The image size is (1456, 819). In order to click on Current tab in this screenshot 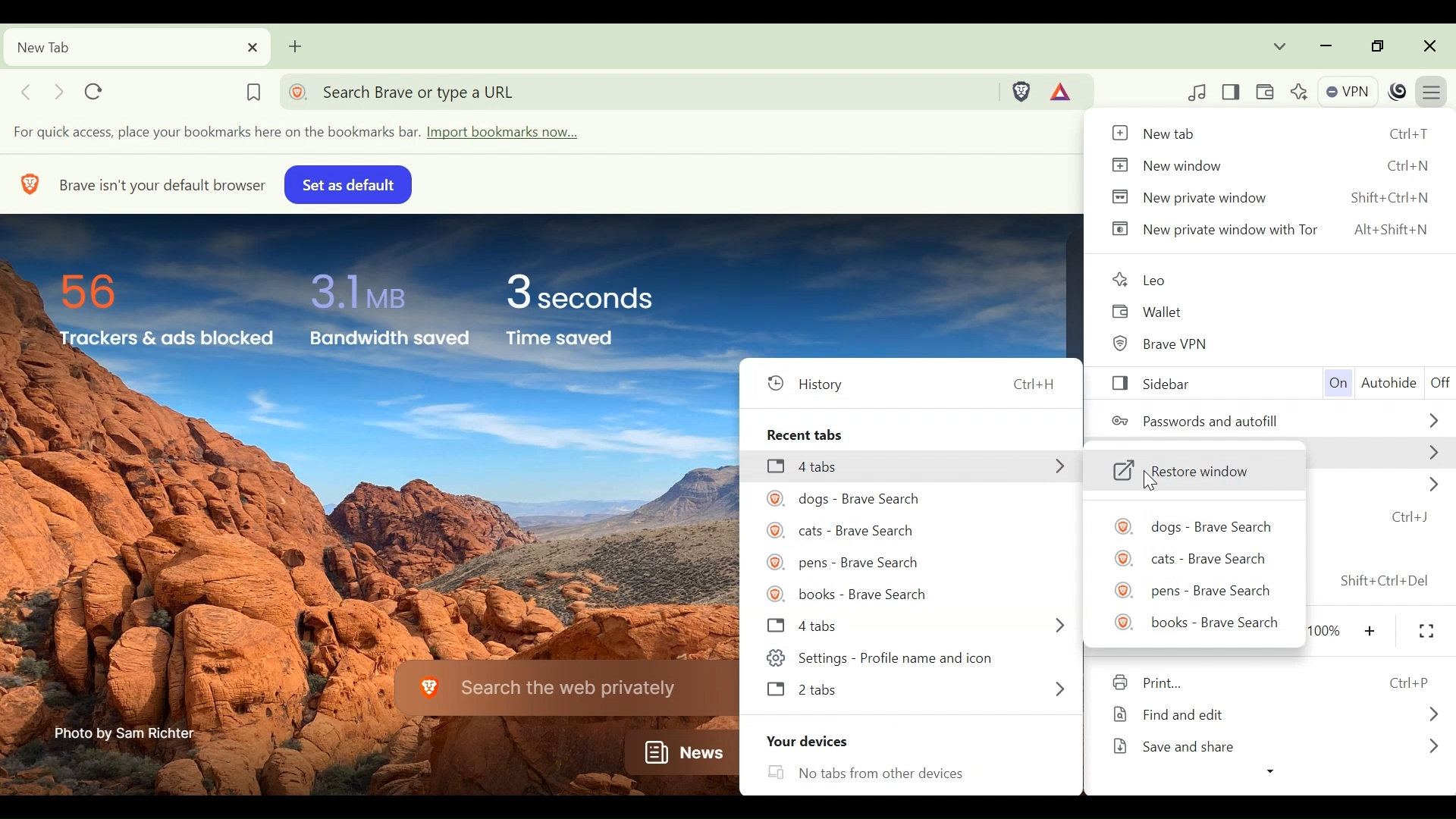, I will do `click(135, 47)`.